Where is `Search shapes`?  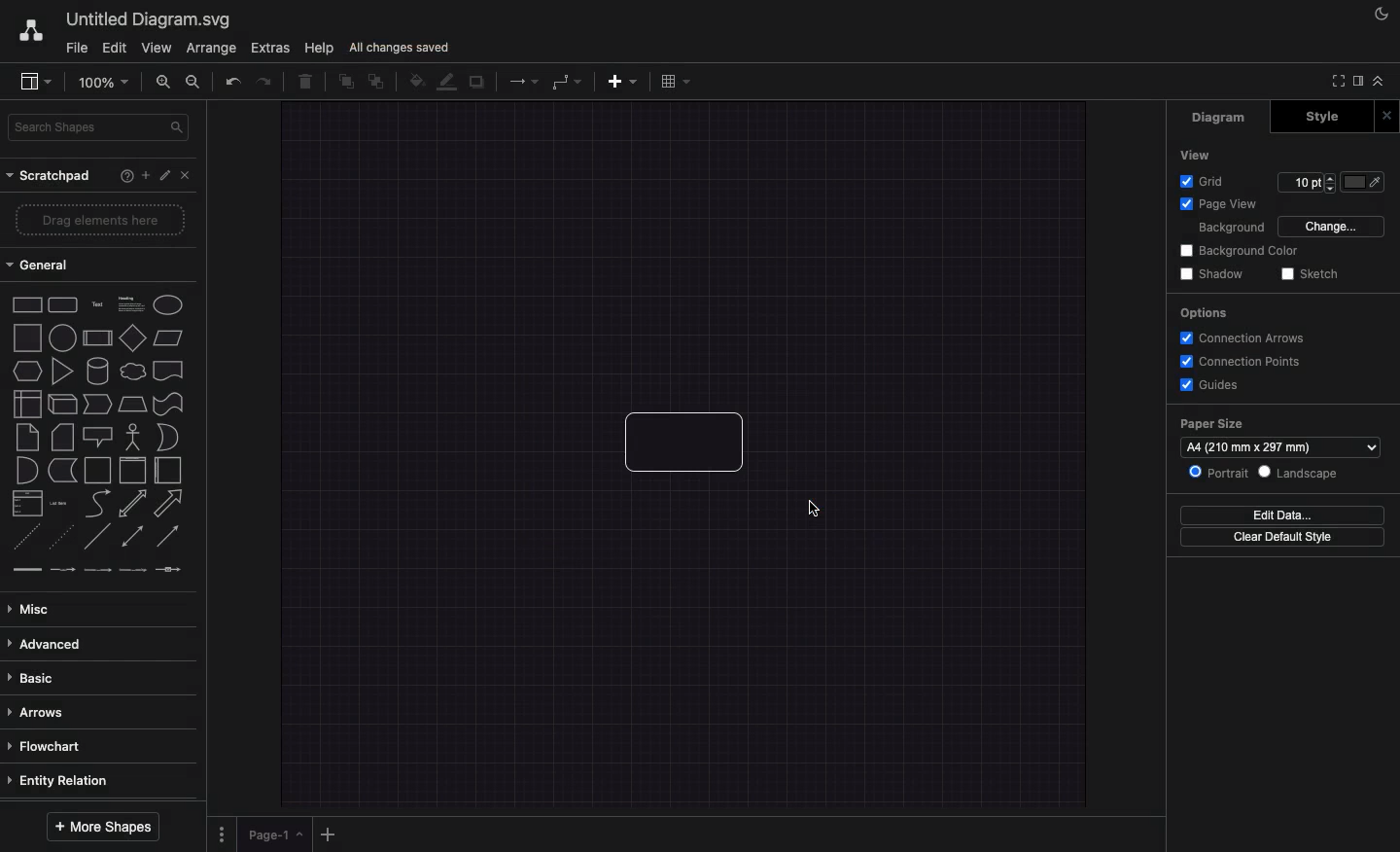 Search shapes is located at coordinates (95, 128).